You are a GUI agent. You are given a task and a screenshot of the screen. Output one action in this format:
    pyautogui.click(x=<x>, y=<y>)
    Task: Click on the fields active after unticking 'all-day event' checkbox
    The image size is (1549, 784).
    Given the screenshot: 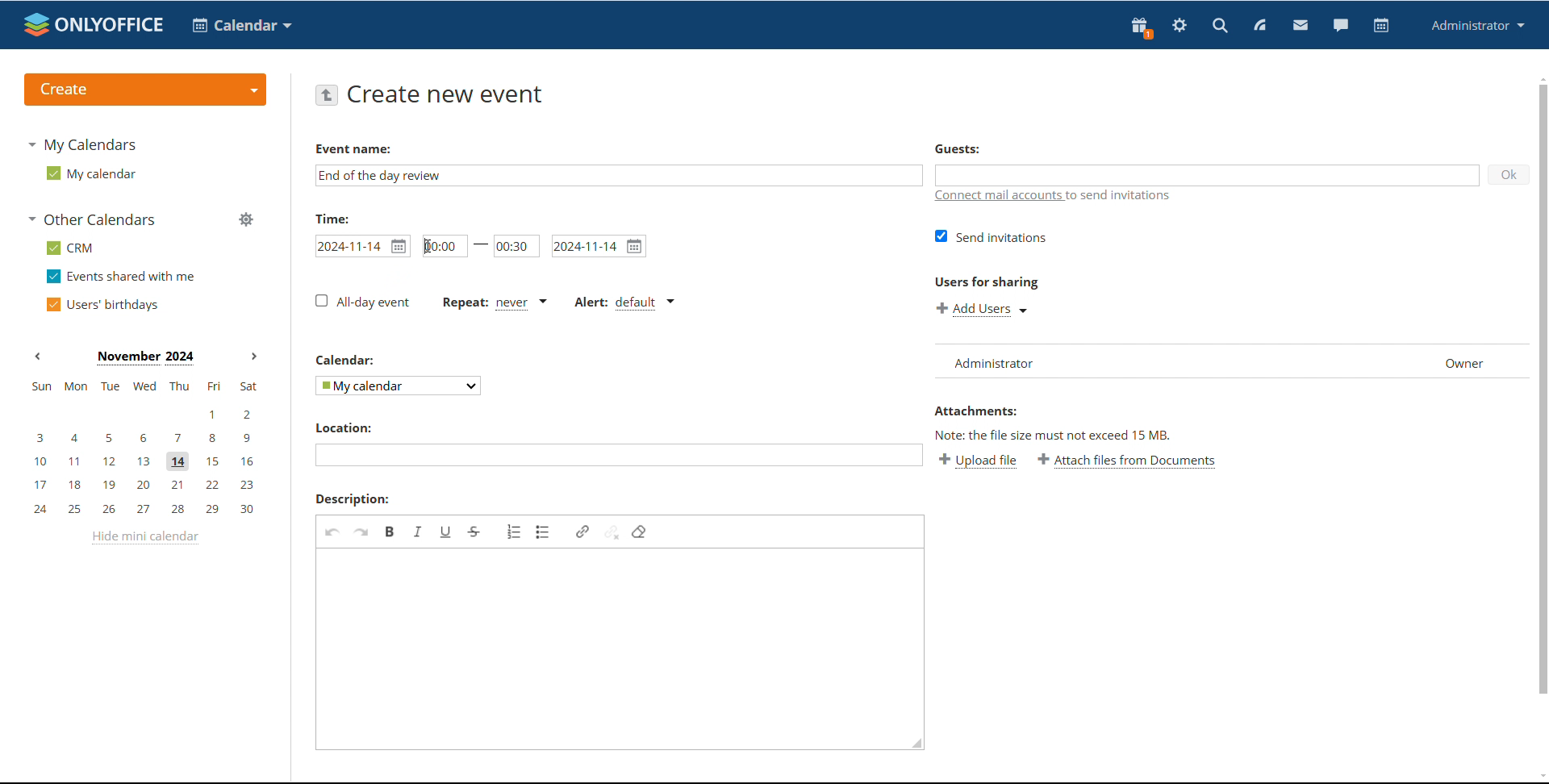 What is the action you would take?
    pyautogui.click(x=478, y=246)
    